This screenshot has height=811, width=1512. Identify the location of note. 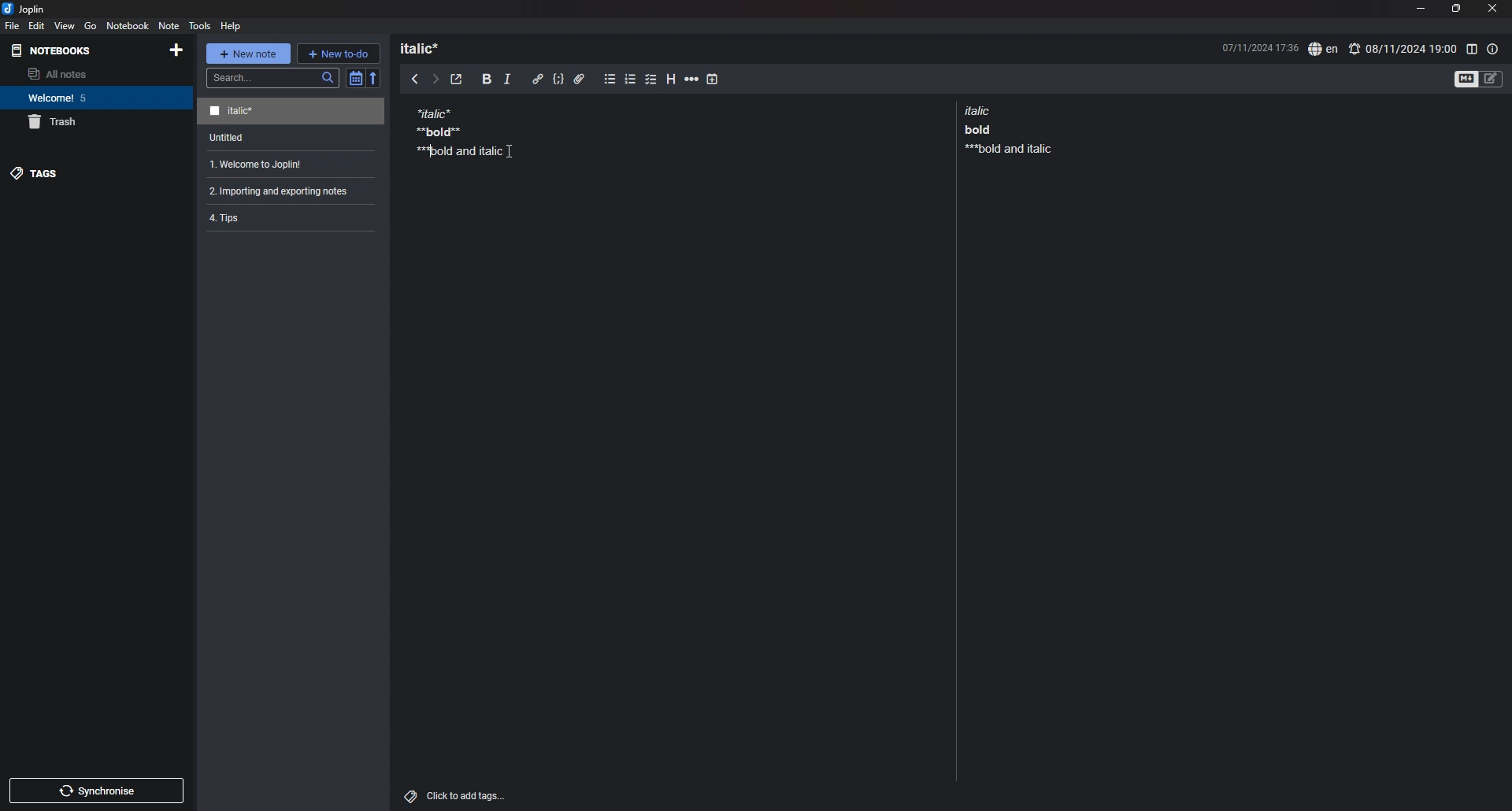
(1005, 129).